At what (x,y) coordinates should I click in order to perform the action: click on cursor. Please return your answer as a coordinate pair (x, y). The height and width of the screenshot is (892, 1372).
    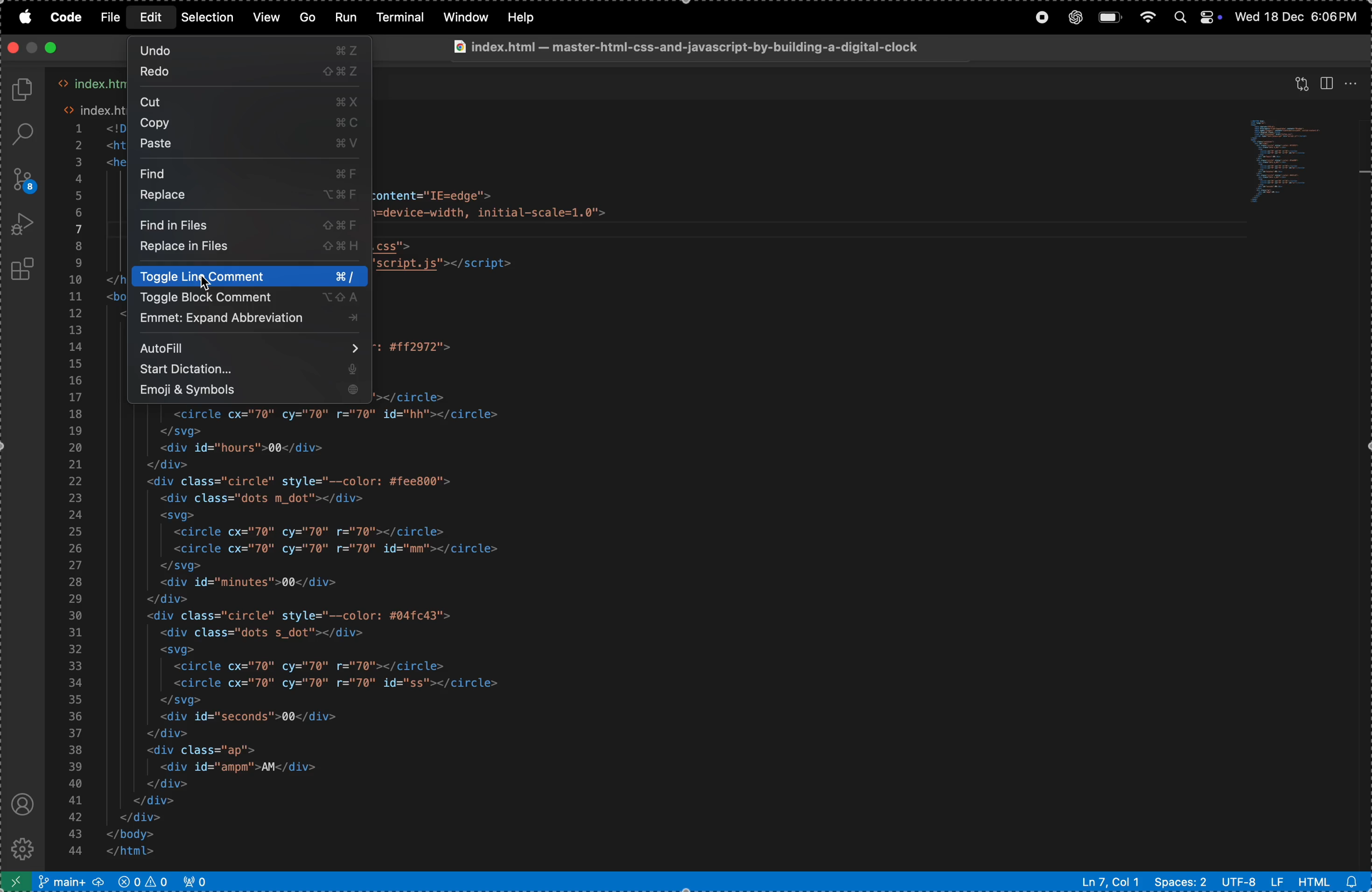
    Looking at the image, I should click on (208, 282).